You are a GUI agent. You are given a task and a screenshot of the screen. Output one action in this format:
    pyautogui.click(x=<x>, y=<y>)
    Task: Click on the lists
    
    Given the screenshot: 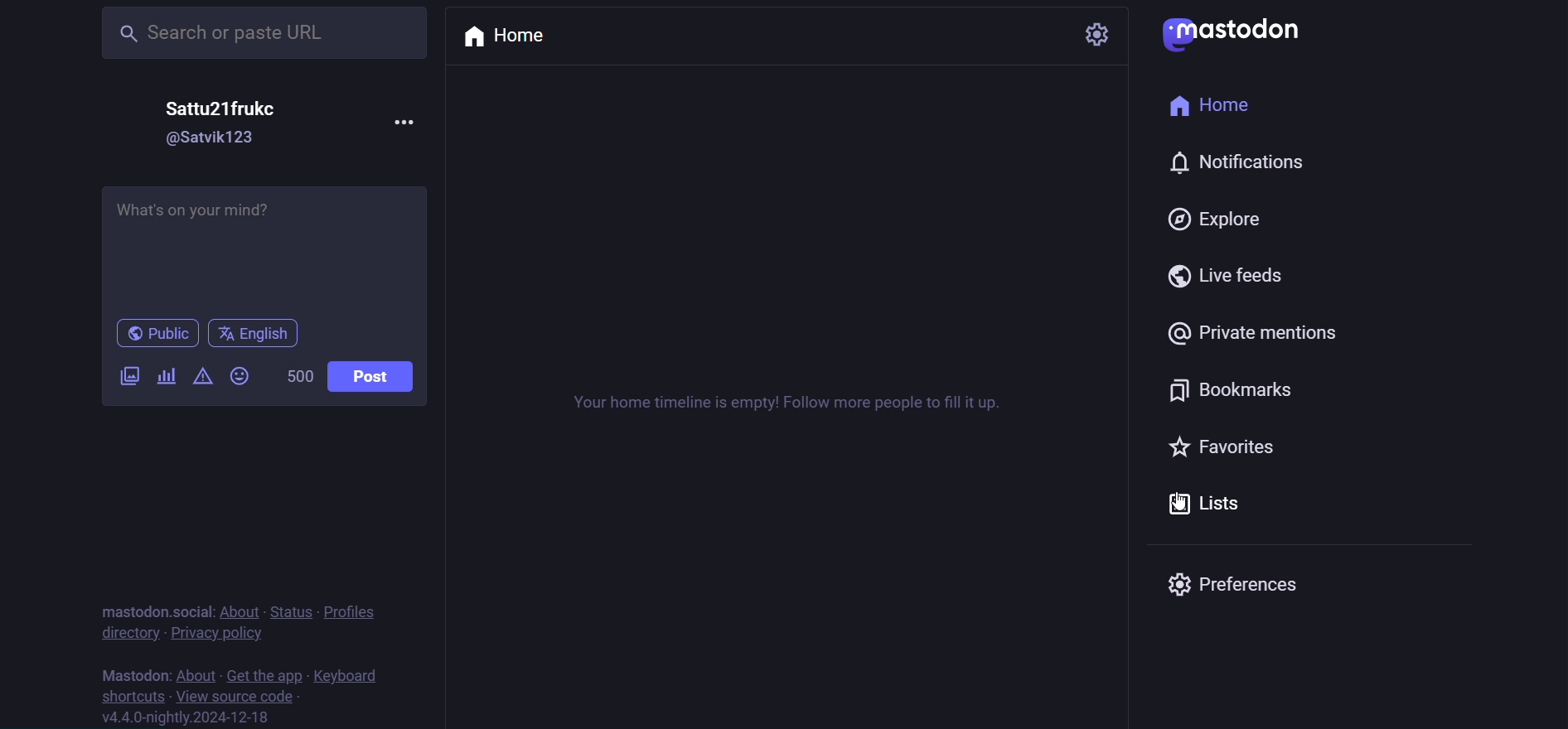 What is the action you would take?
    pyautogui.click(x=1205, y=504)
    